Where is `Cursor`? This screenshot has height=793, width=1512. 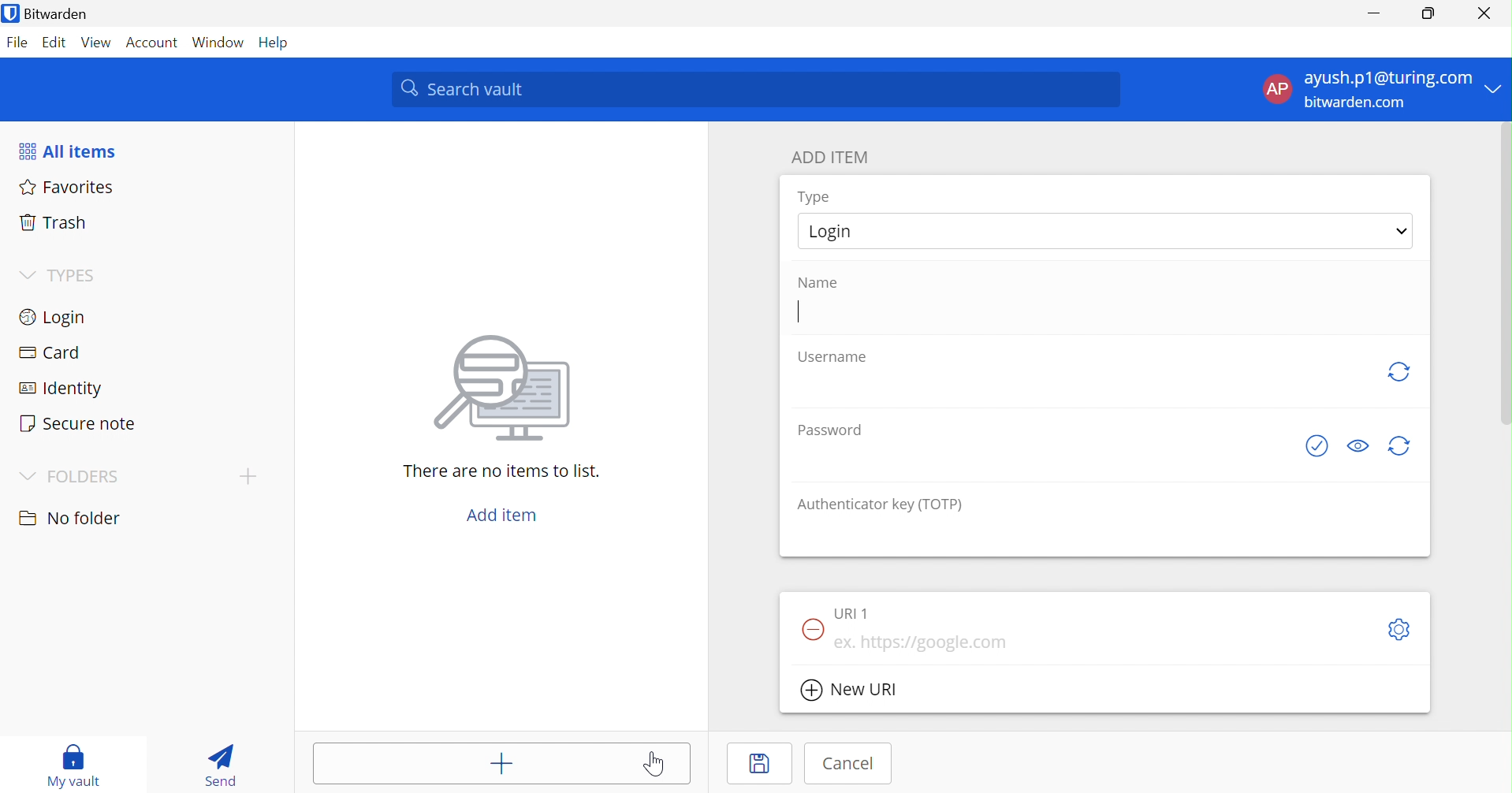
Cursor is located at coordinates (654, 764).